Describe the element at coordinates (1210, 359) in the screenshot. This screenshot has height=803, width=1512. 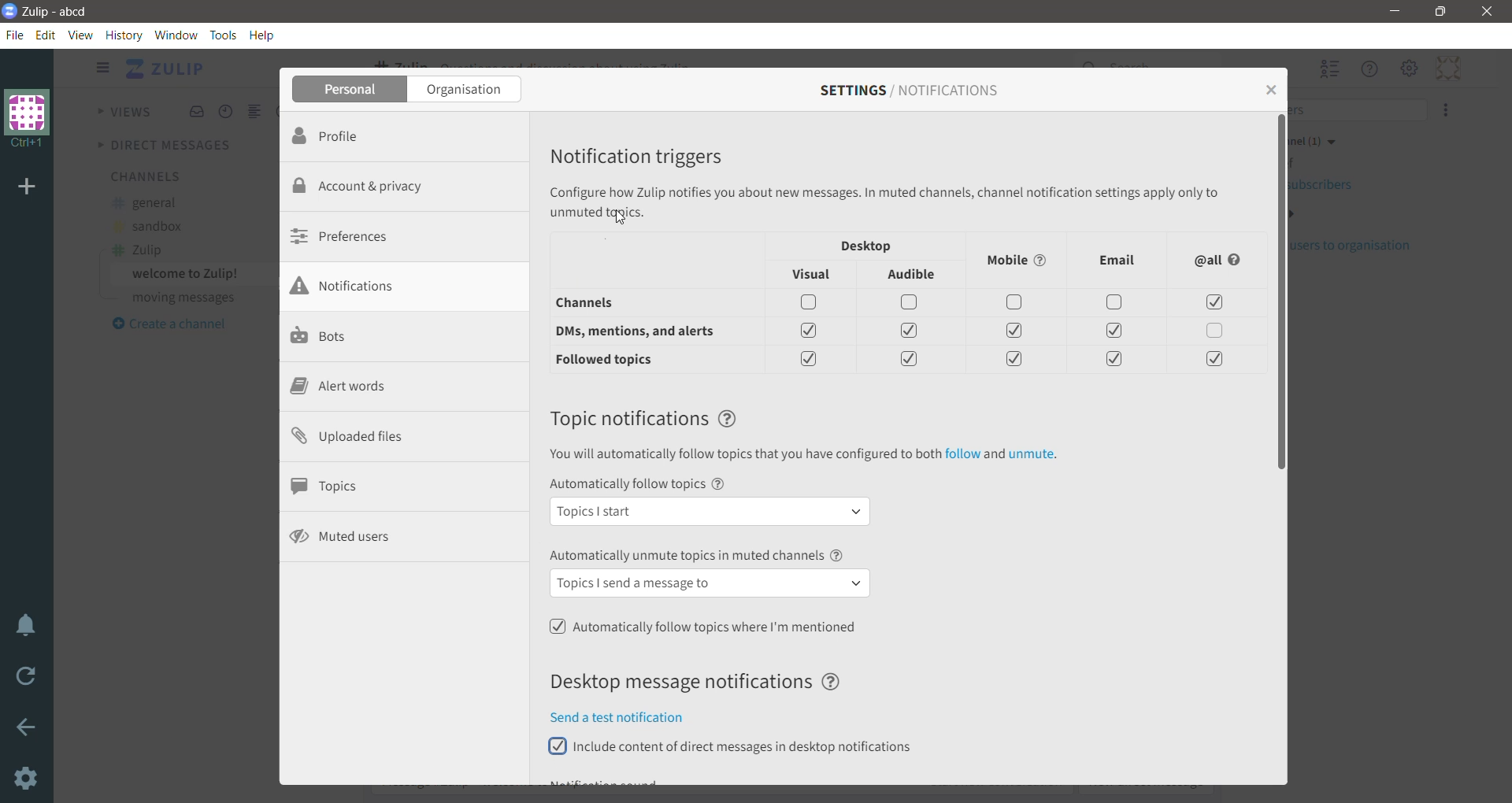
I see `check box` at that location.